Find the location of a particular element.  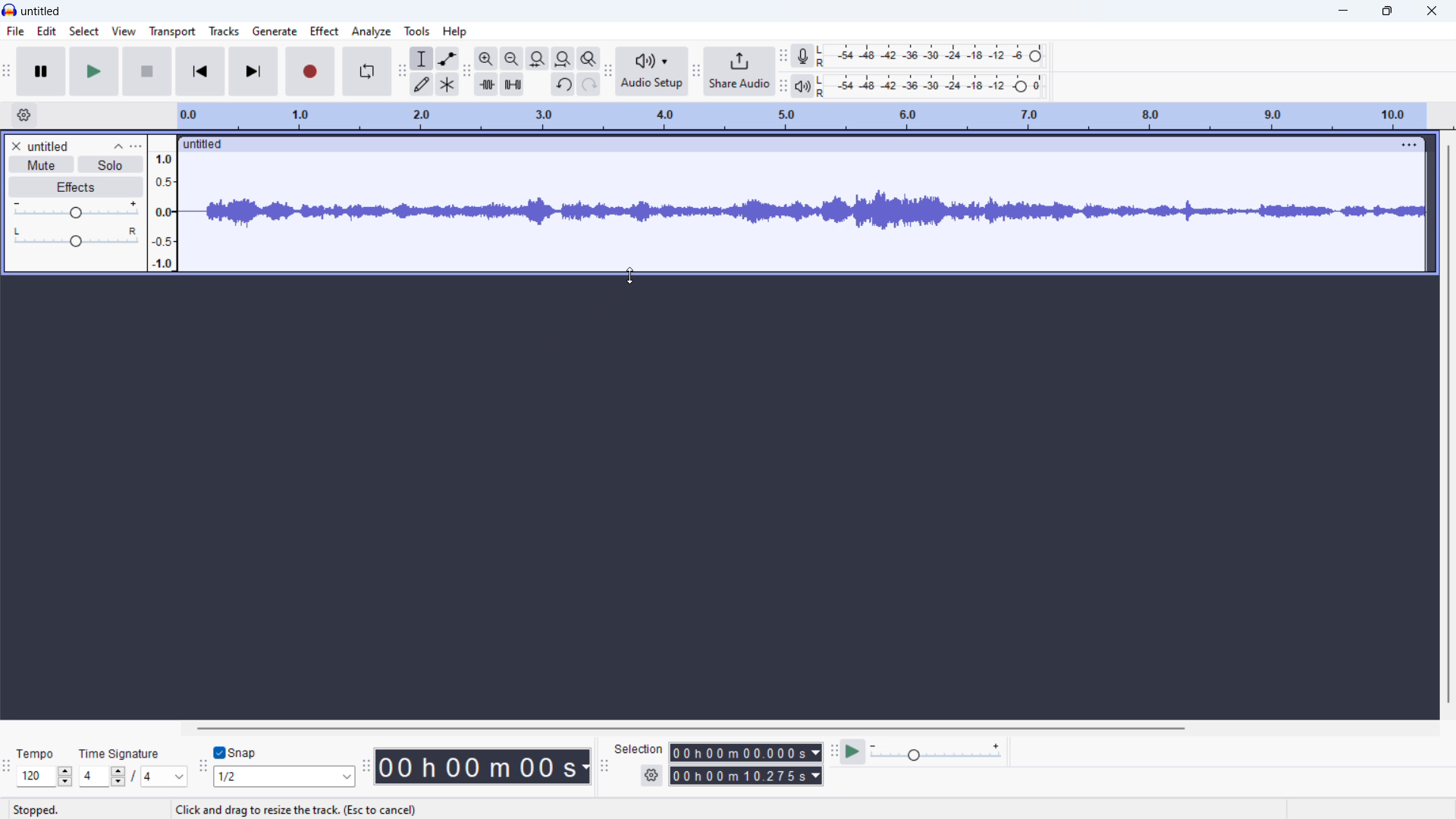

fit selection to width is located at coordinates (537, 59).